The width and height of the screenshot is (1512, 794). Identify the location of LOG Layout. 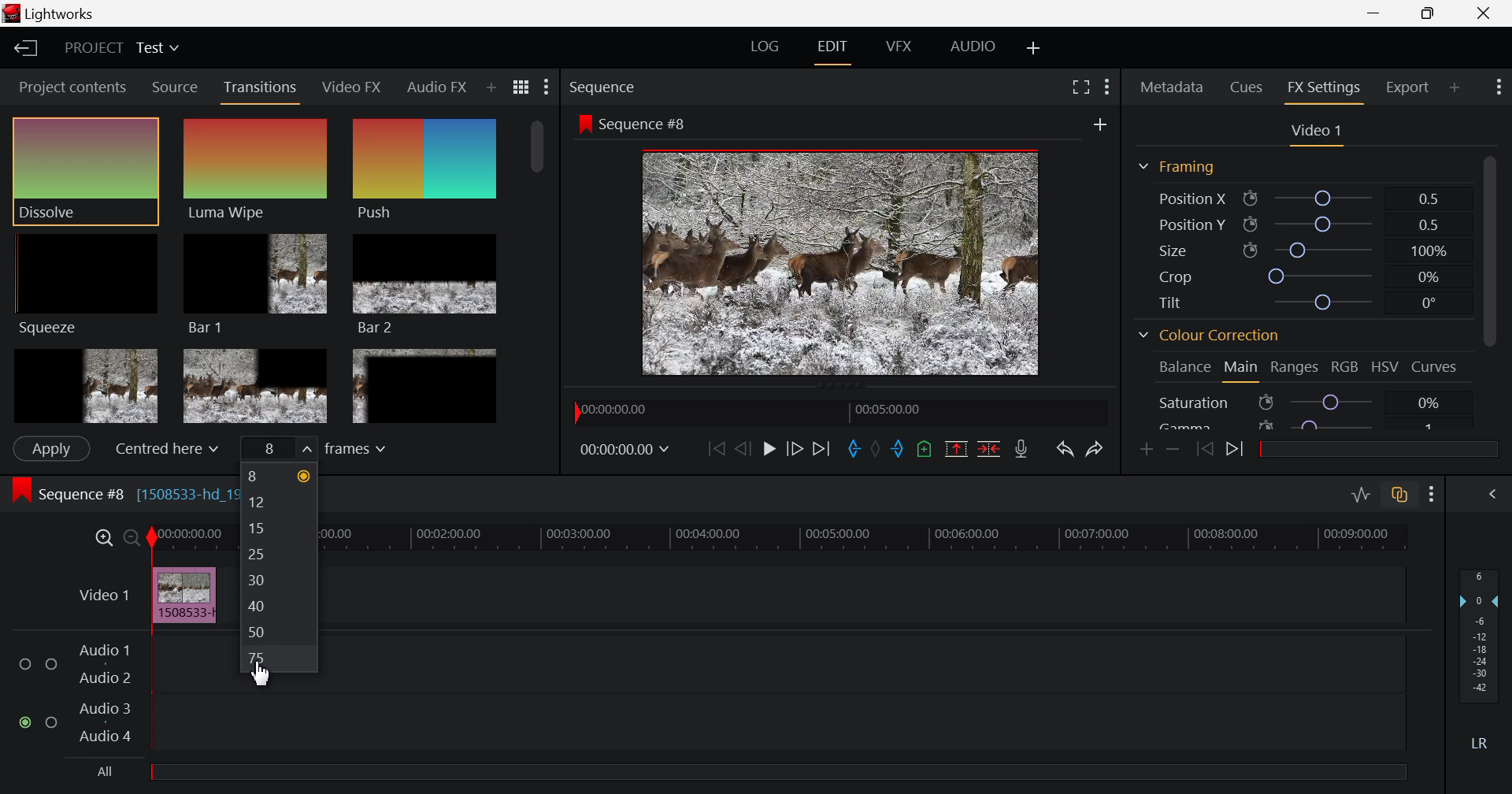
(767, 46).